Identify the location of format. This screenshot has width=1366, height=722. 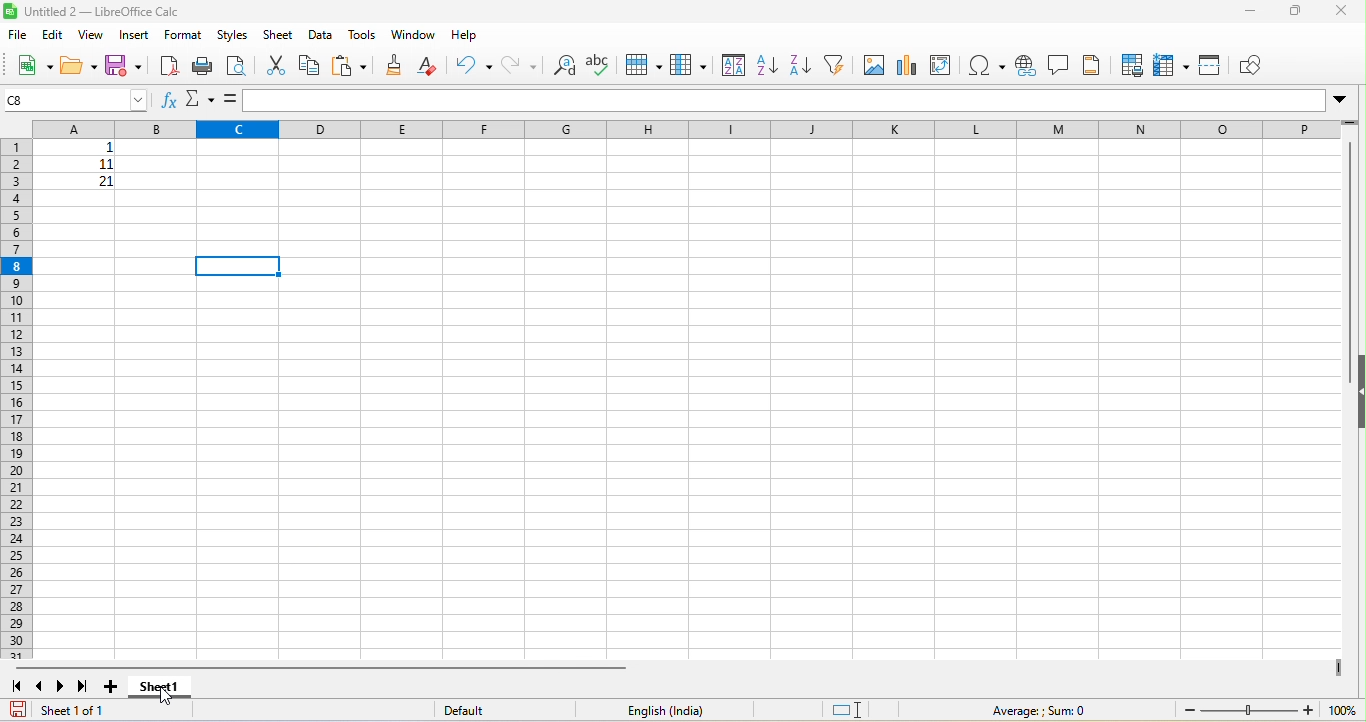
(184, 36).